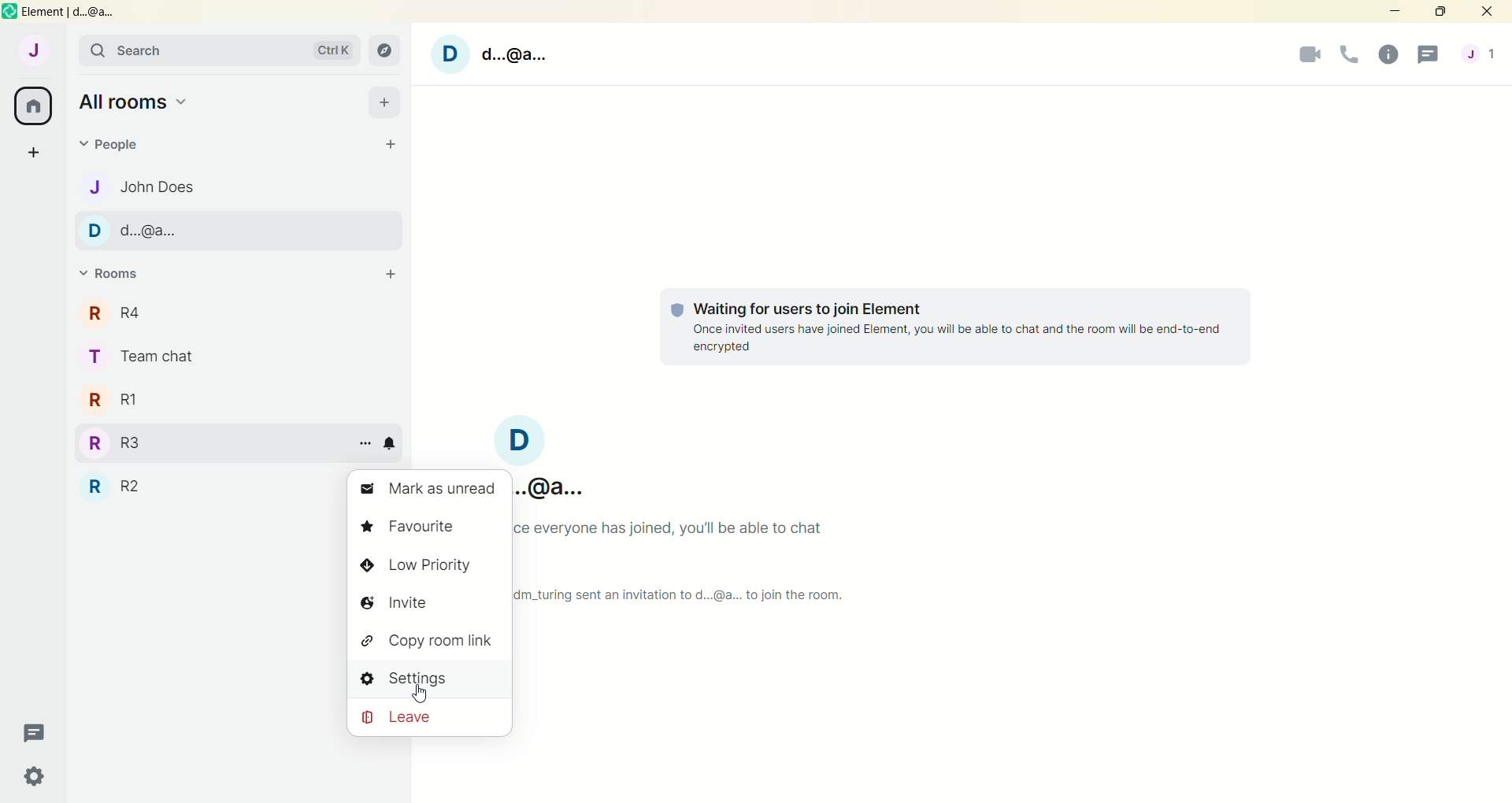 This screenshot has height=803, width=1512. I want to click on dm_turing Send an invitation to d...@... to join the room, so click(697, 594).